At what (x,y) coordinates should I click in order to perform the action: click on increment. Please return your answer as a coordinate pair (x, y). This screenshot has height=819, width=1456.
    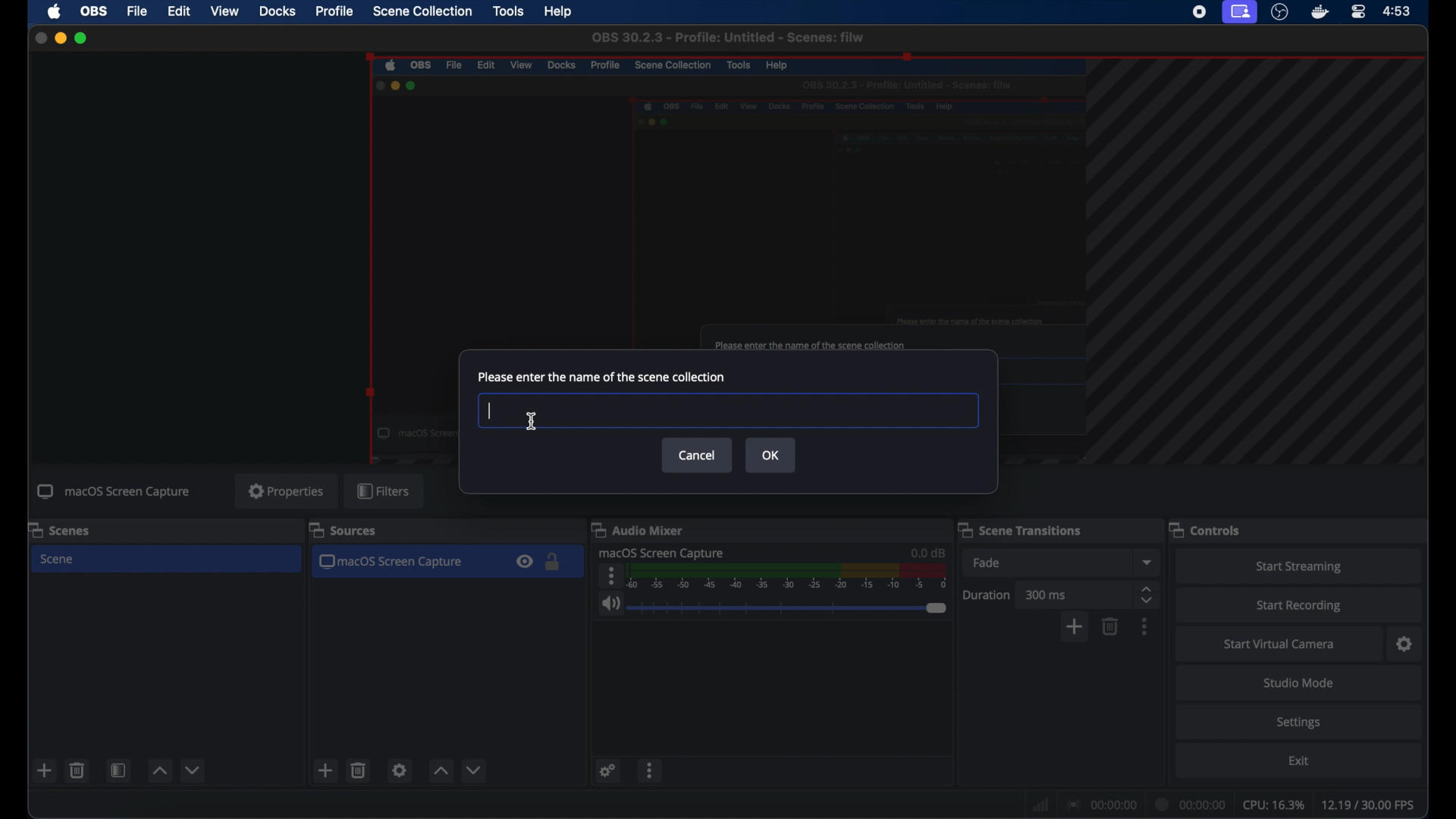
    Looking at the image, I should click on (159, 770).